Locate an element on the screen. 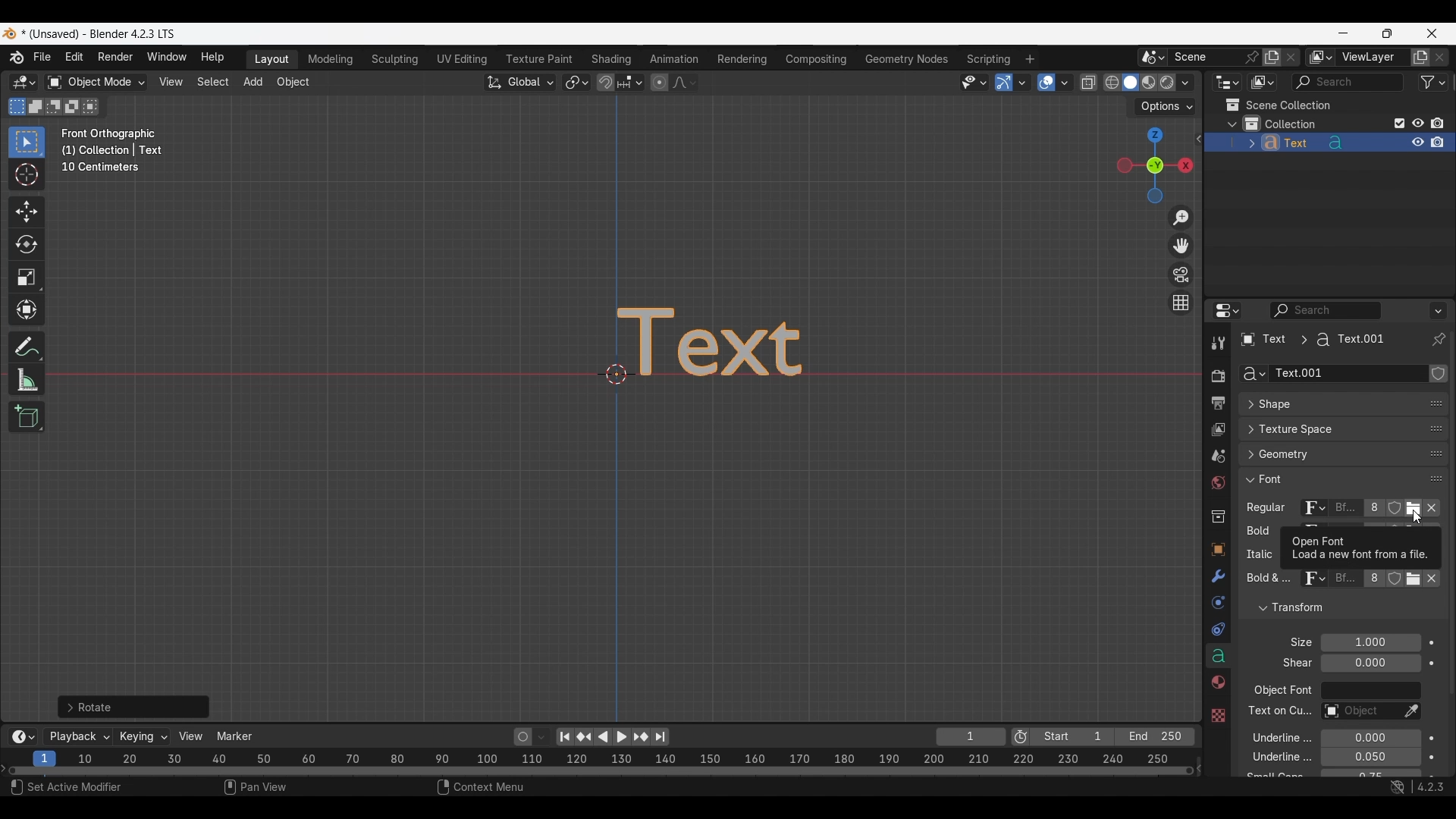 Image resolution: width=1456 pixels, height=819 pixels. For further rotation is located at coordinates (133, 707).